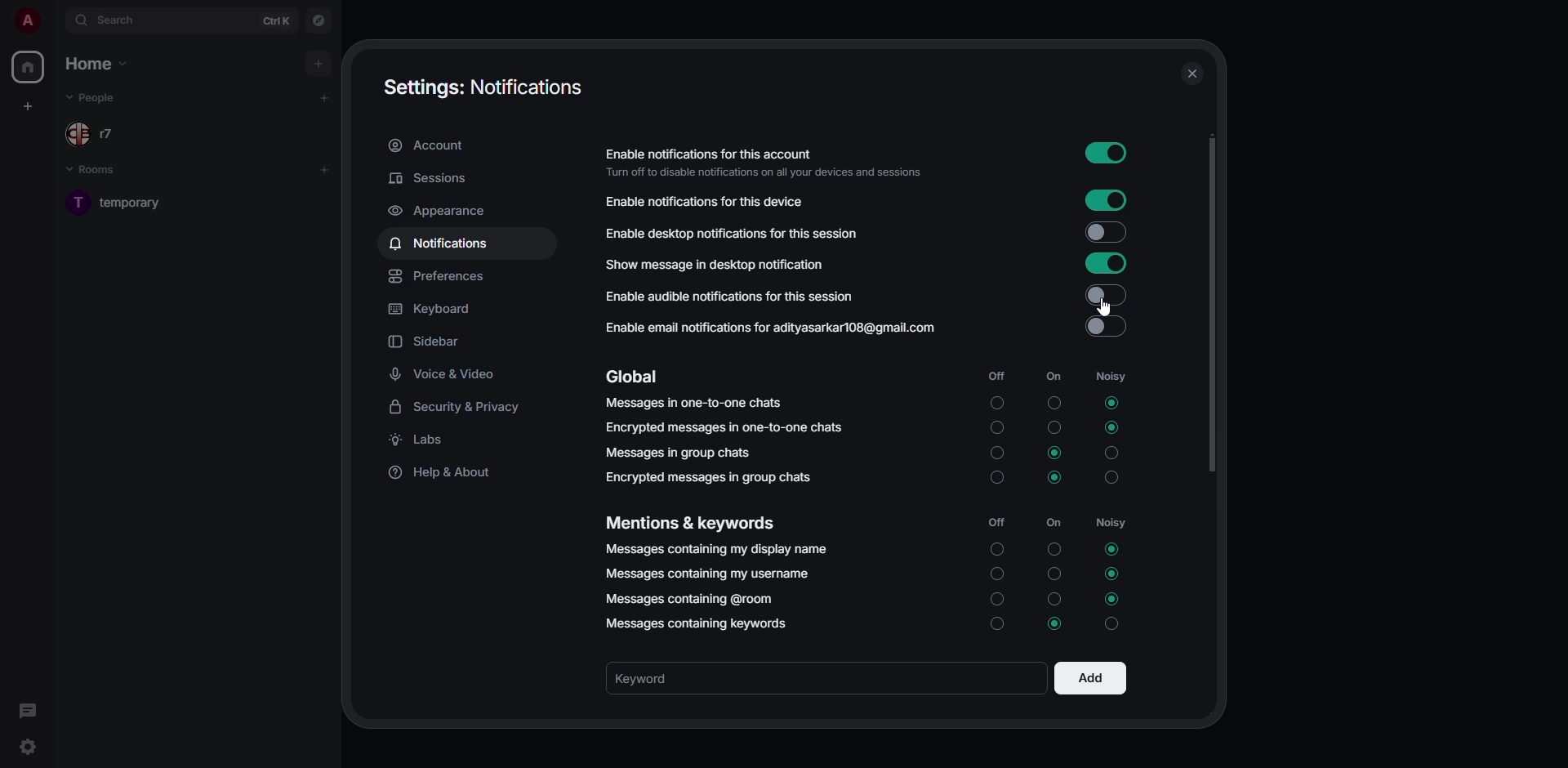 The width and height of the screenshot is (1568, 768). I want to click on on, so click(1053, 426).